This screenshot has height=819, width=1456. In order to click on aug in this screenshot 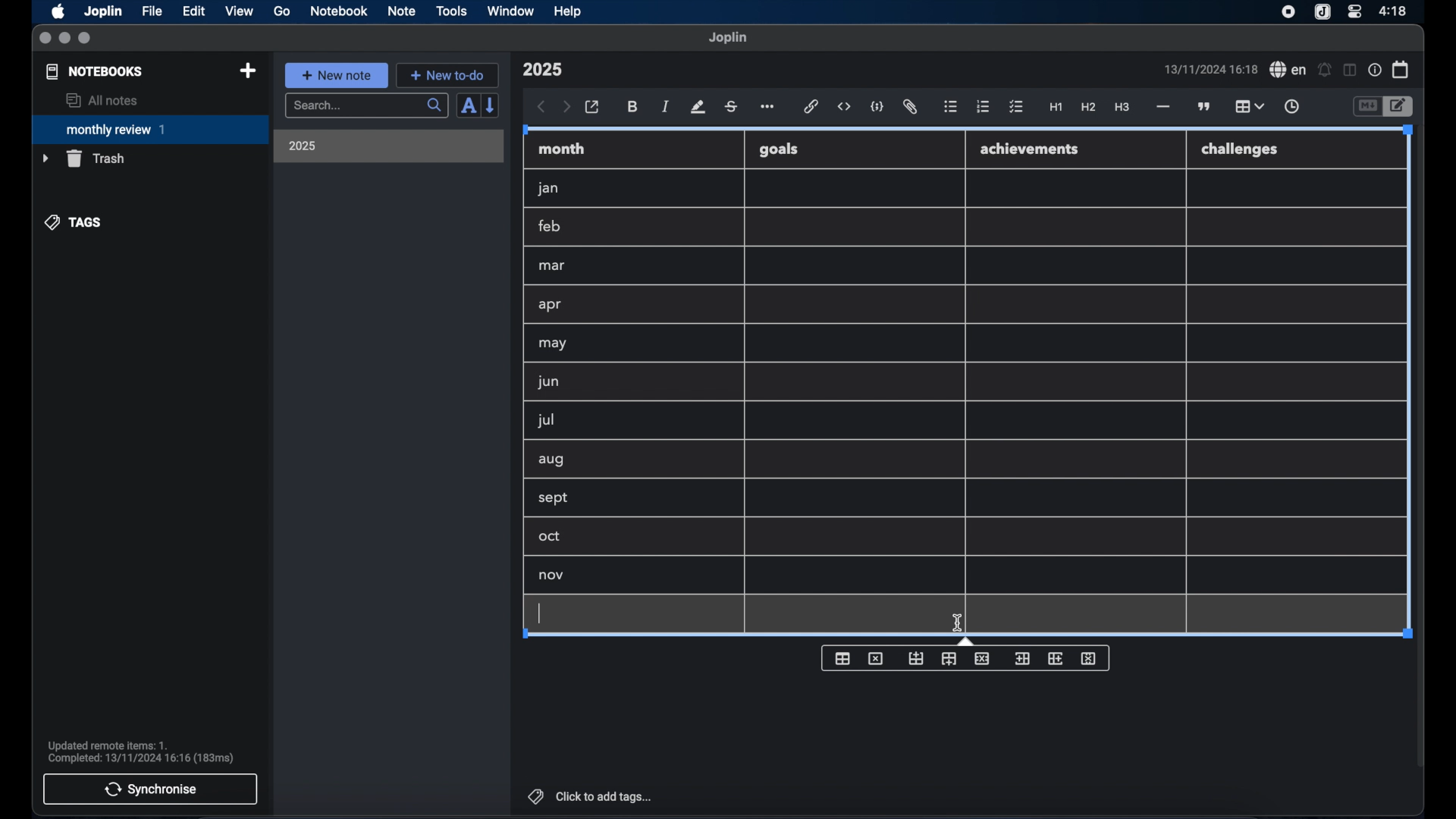, I will do `click(551, 461)`.